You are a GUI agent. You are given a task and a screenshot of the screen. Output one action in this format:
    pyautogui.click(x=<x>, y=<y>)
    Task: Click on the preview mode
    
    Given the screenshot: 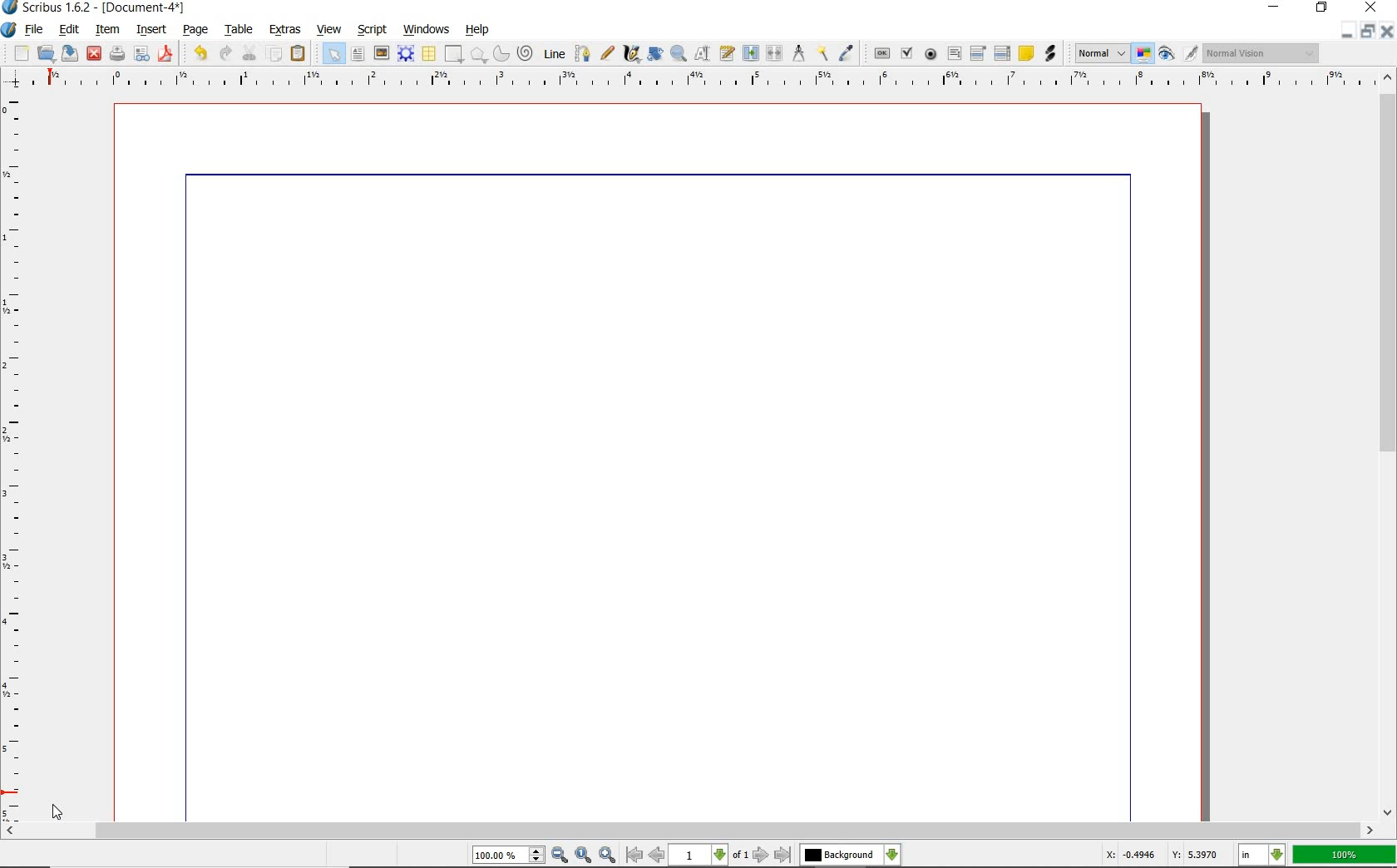 What is the action you would take?
    pyautogui.click(x=1179, y=53)
    